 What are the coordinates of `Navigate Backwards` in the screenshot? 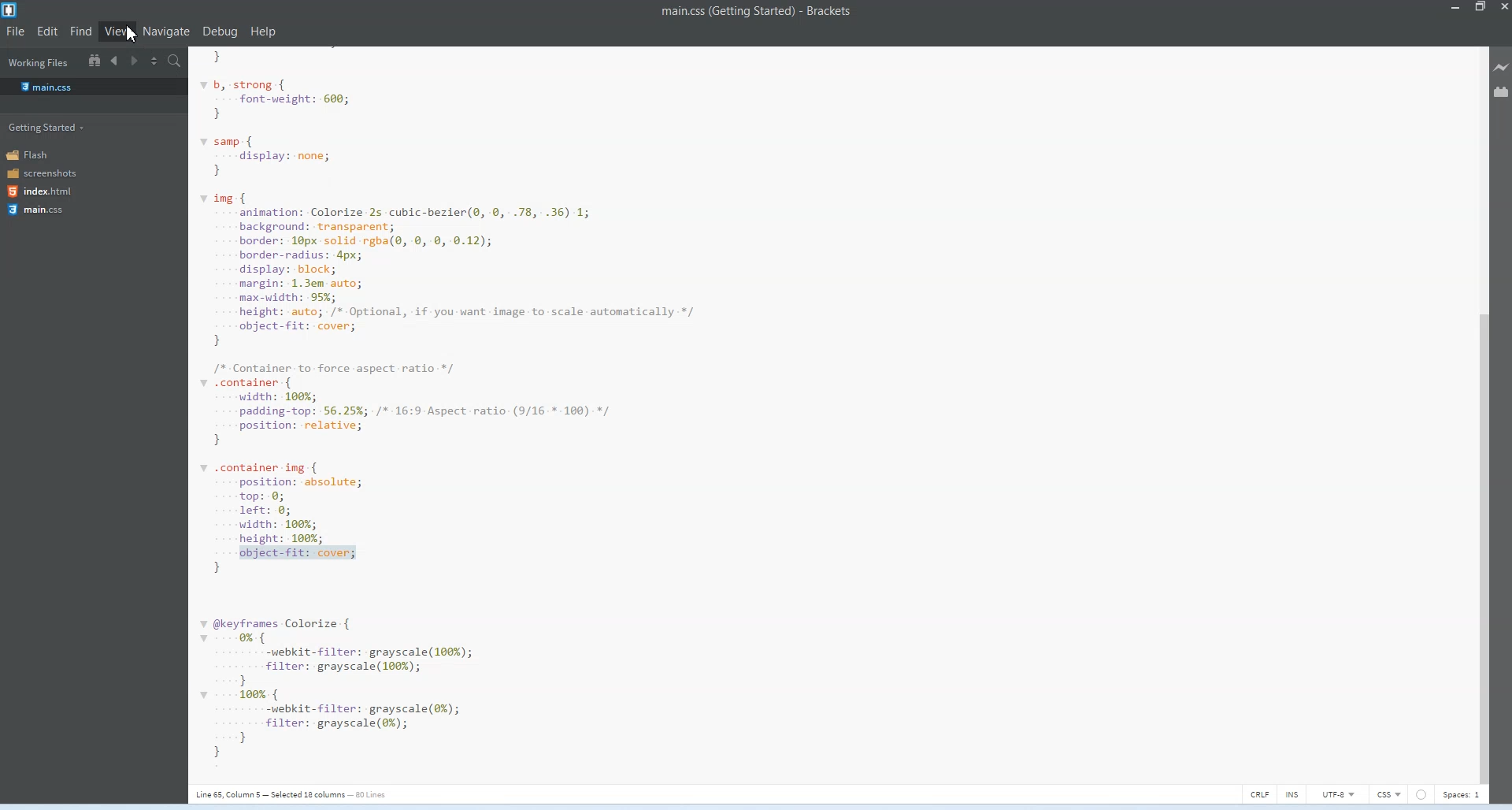 It's located at (114, 61).